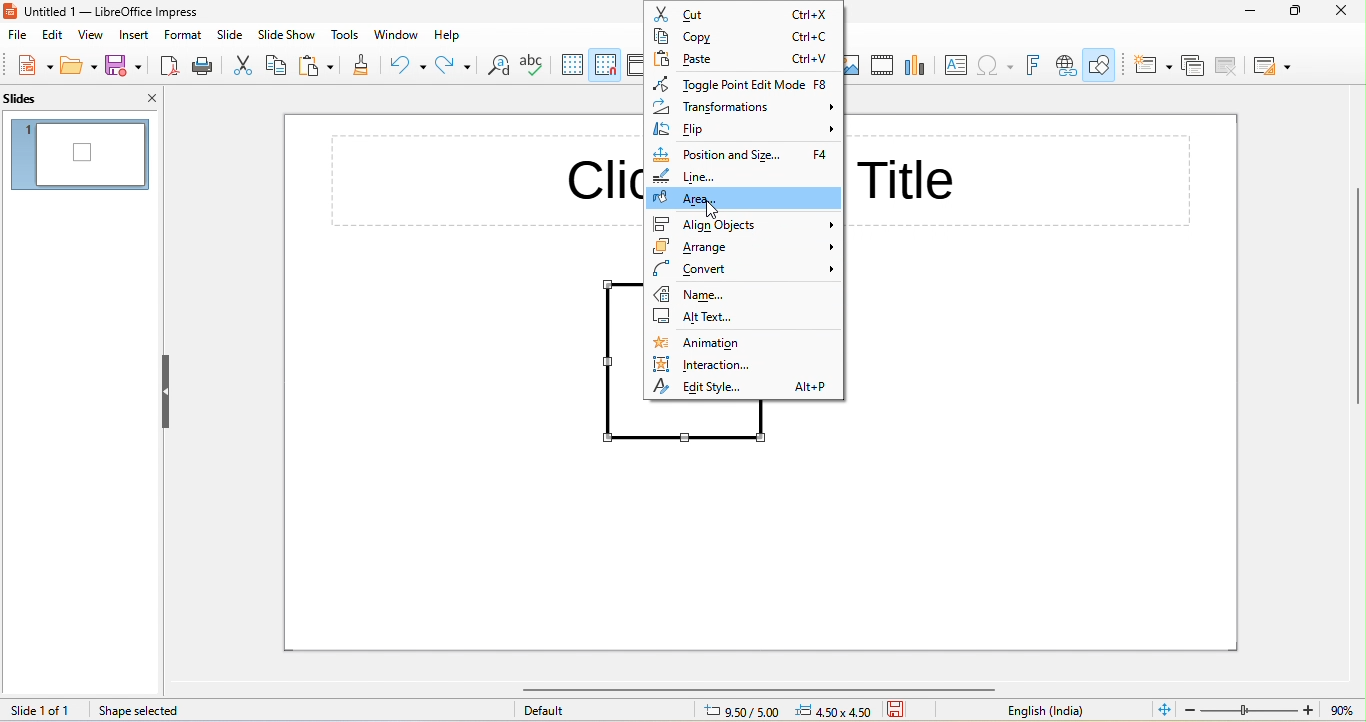 The width and height of the screenshot is (1366, 722). What do you see at coordinates (1193, 64) in the screenshot?
I see `duplicate` at bounding box center [1193, 64].